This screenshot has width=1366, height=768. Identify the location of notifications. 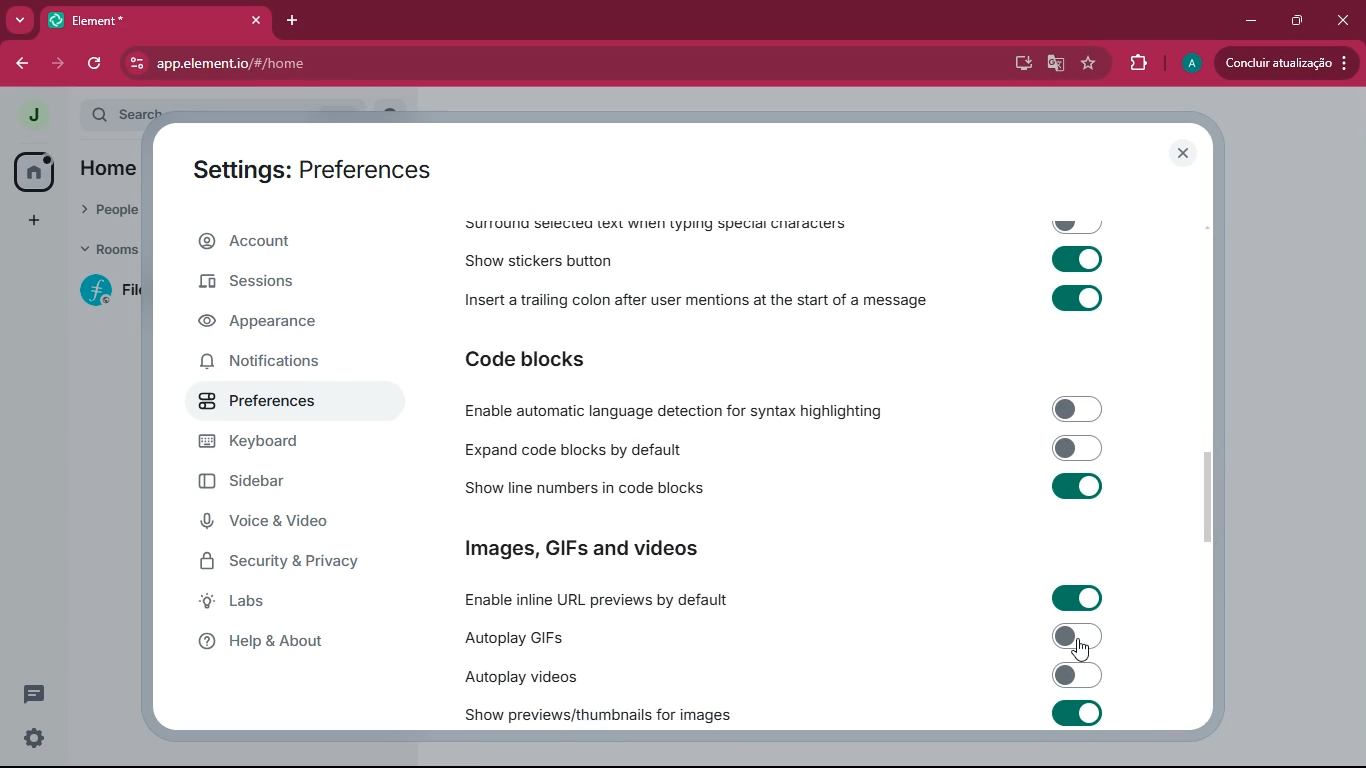
(275, 365).